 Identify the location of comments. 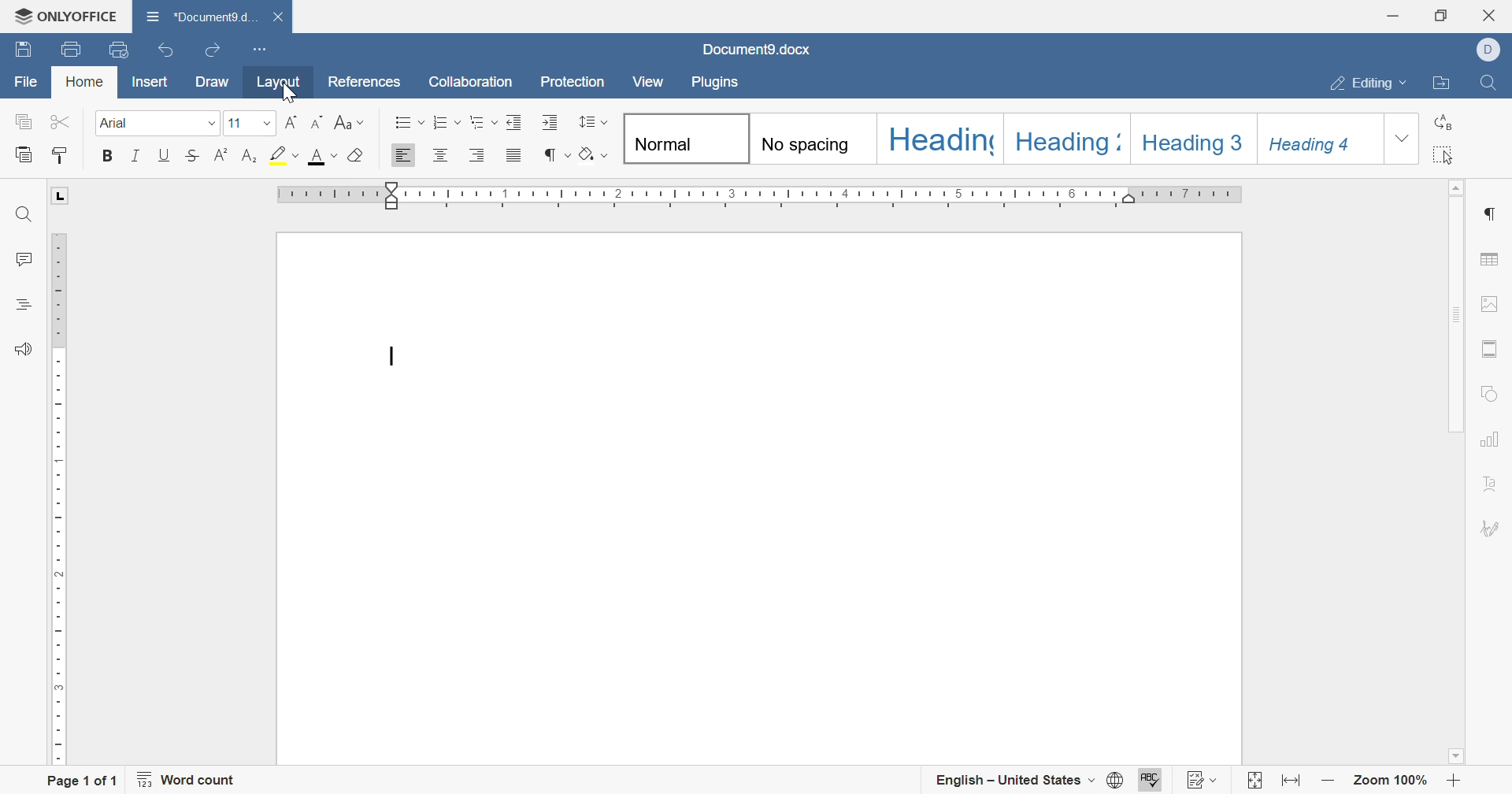
(21, 260).